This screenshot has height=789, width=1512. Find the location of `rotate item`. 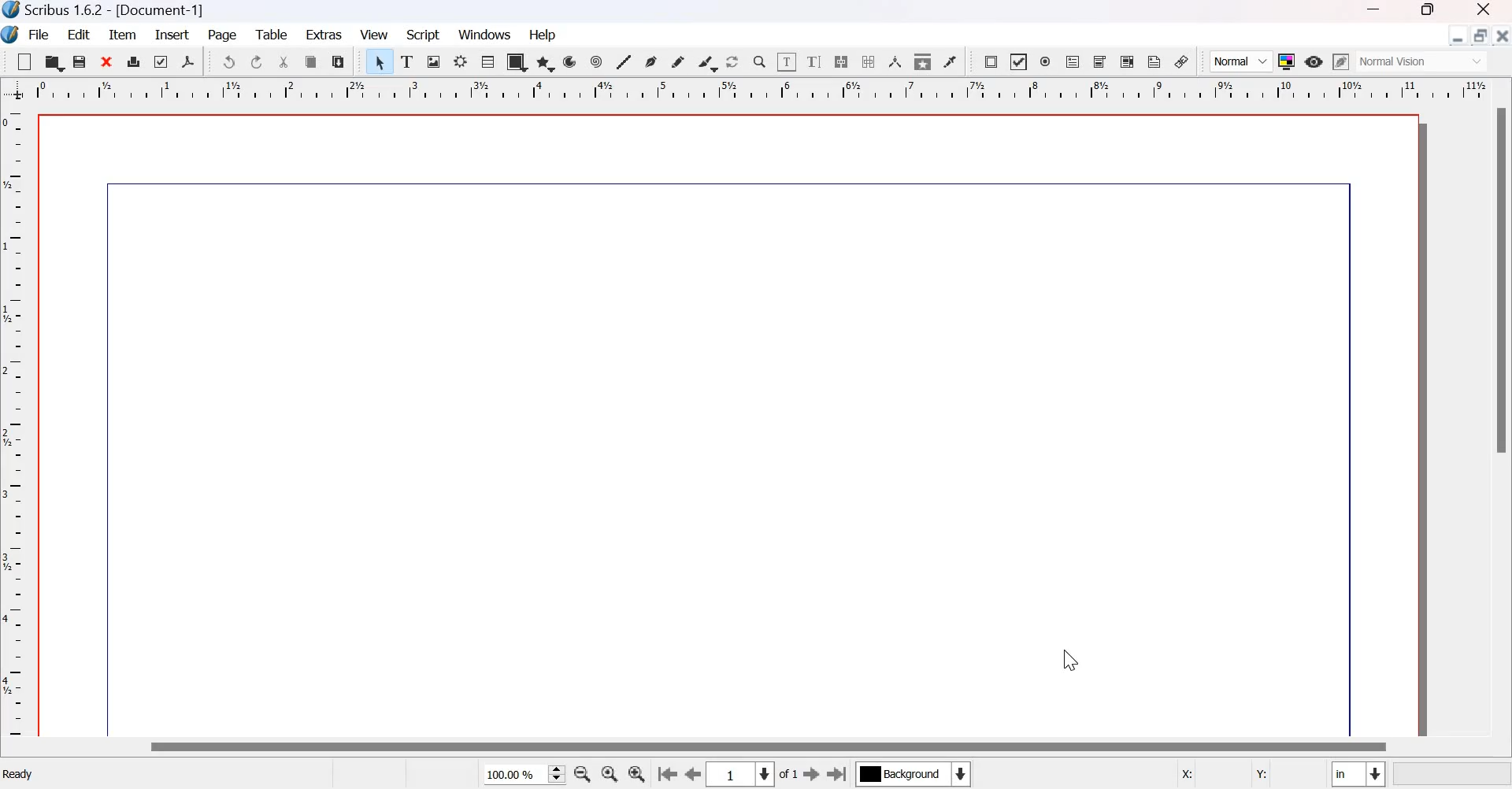

rotate item is located at coordinates (732, 61).